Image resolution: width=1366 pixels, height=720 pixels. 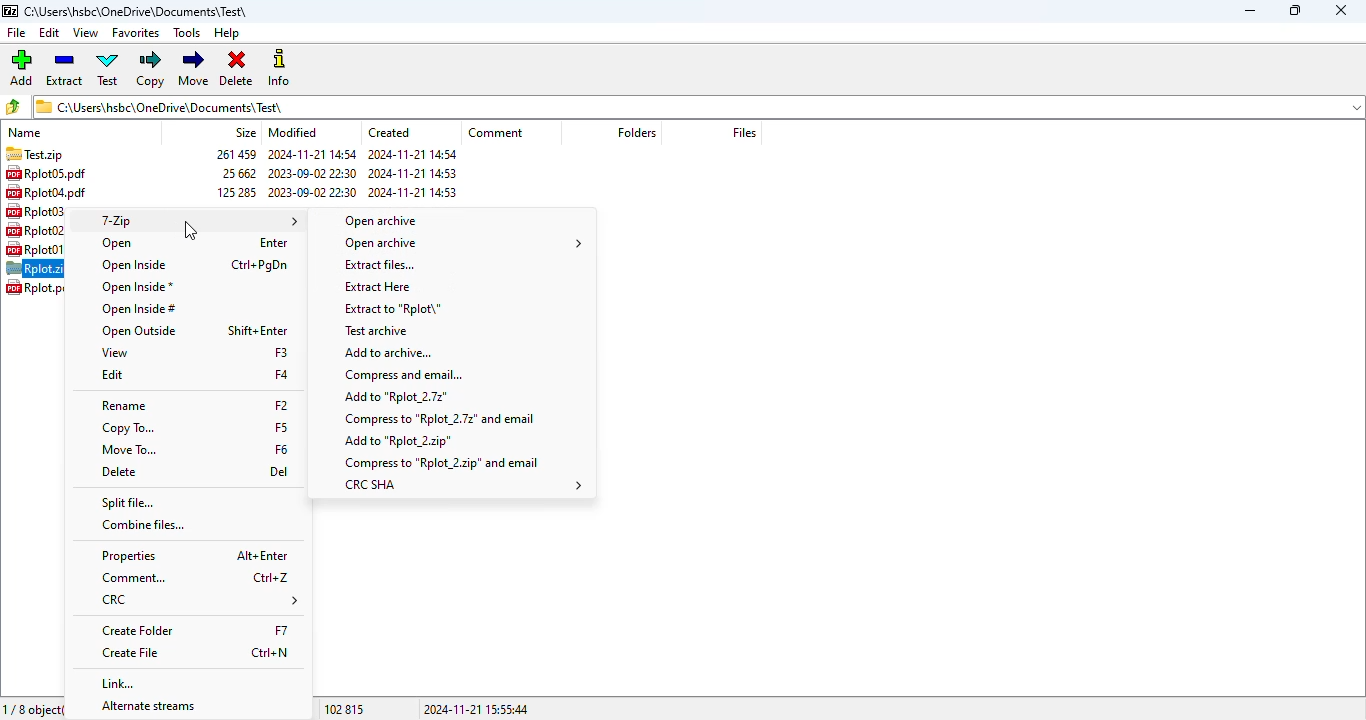 What do you see at coordinates (186, 32) in the screenshot?
I see `tools` at bounding box center [186, 32].